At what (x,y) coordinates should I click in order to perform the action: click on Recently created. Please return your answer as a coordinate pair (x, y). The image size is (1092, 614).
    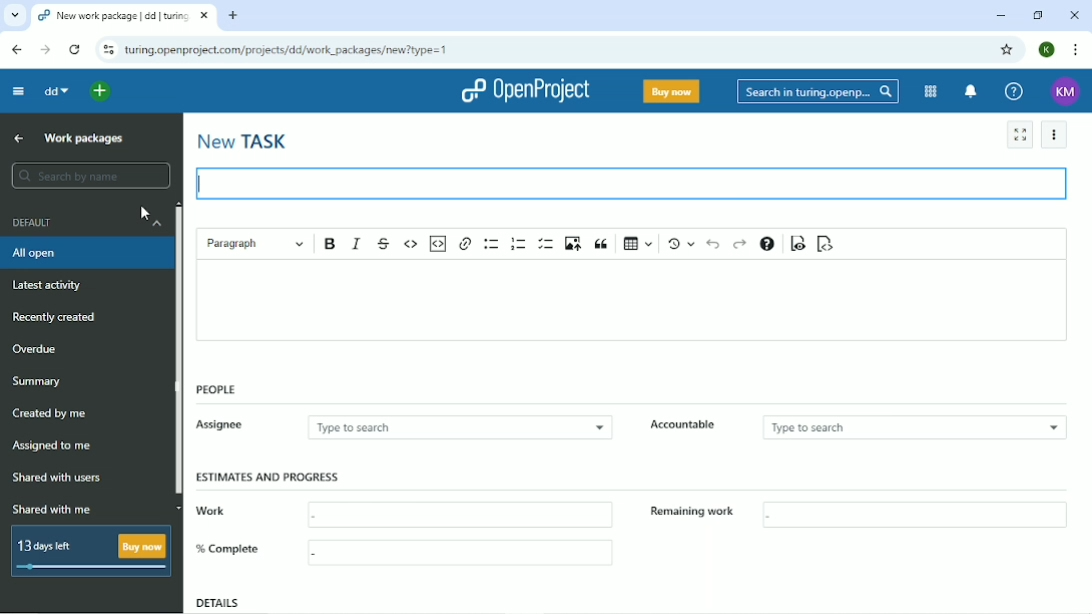
    Looking at the image, I should click on (56, 317).